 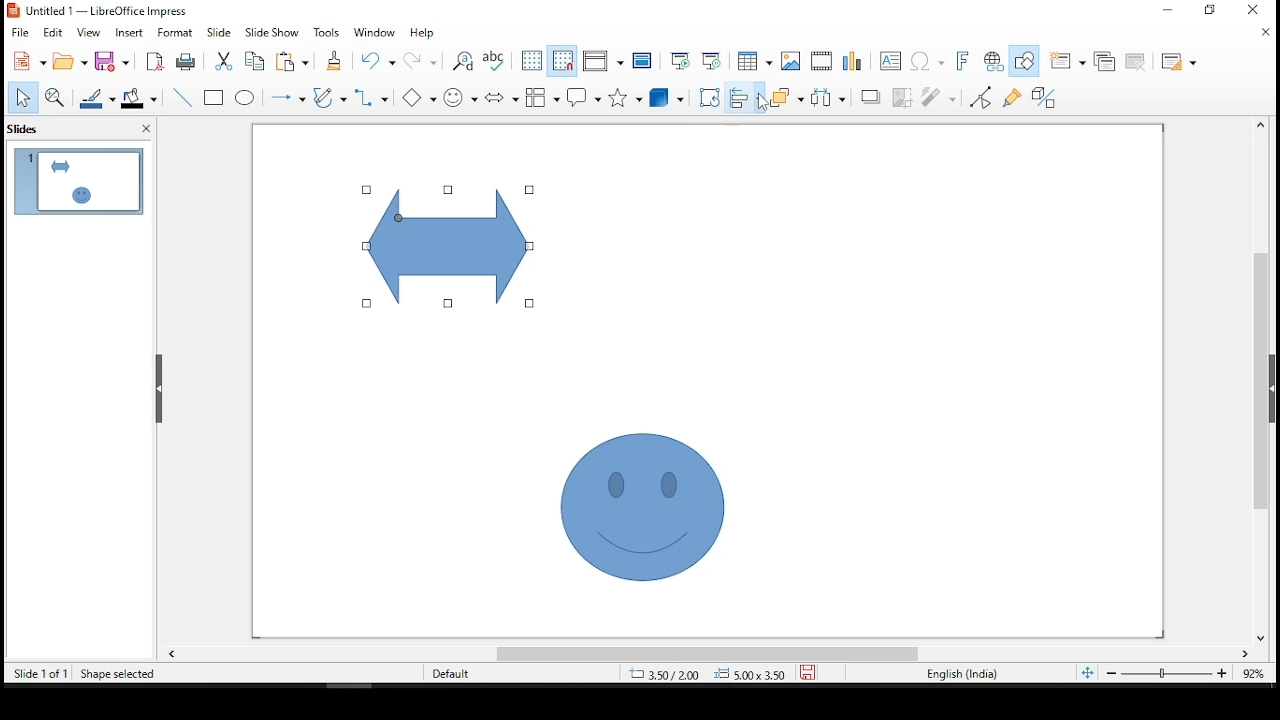 What do you see at coordinates (23, 96) in the screenshot?
I see `select tool` at bounding box center [23, 96].